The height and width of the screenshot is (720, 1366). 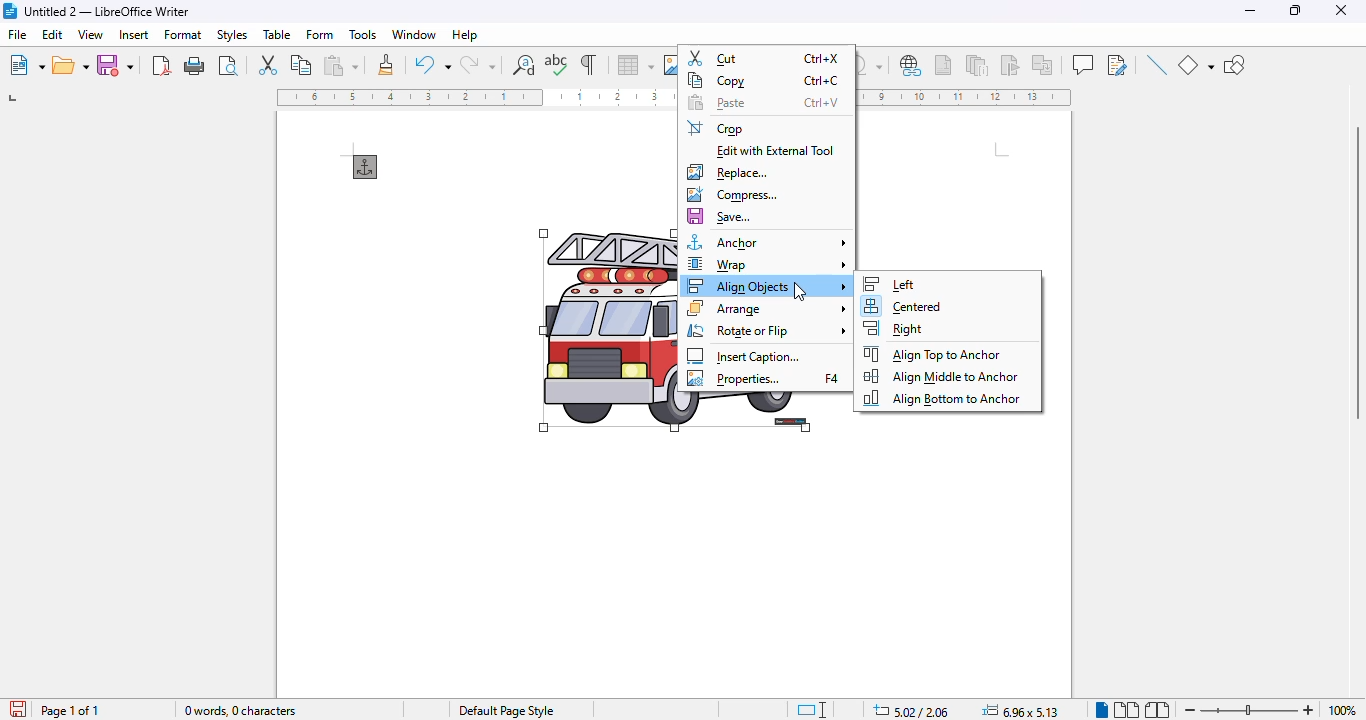 What do you see at coordinates (135, 34) in the screenshot?
I see `insert` at bounding box center [135, 34].